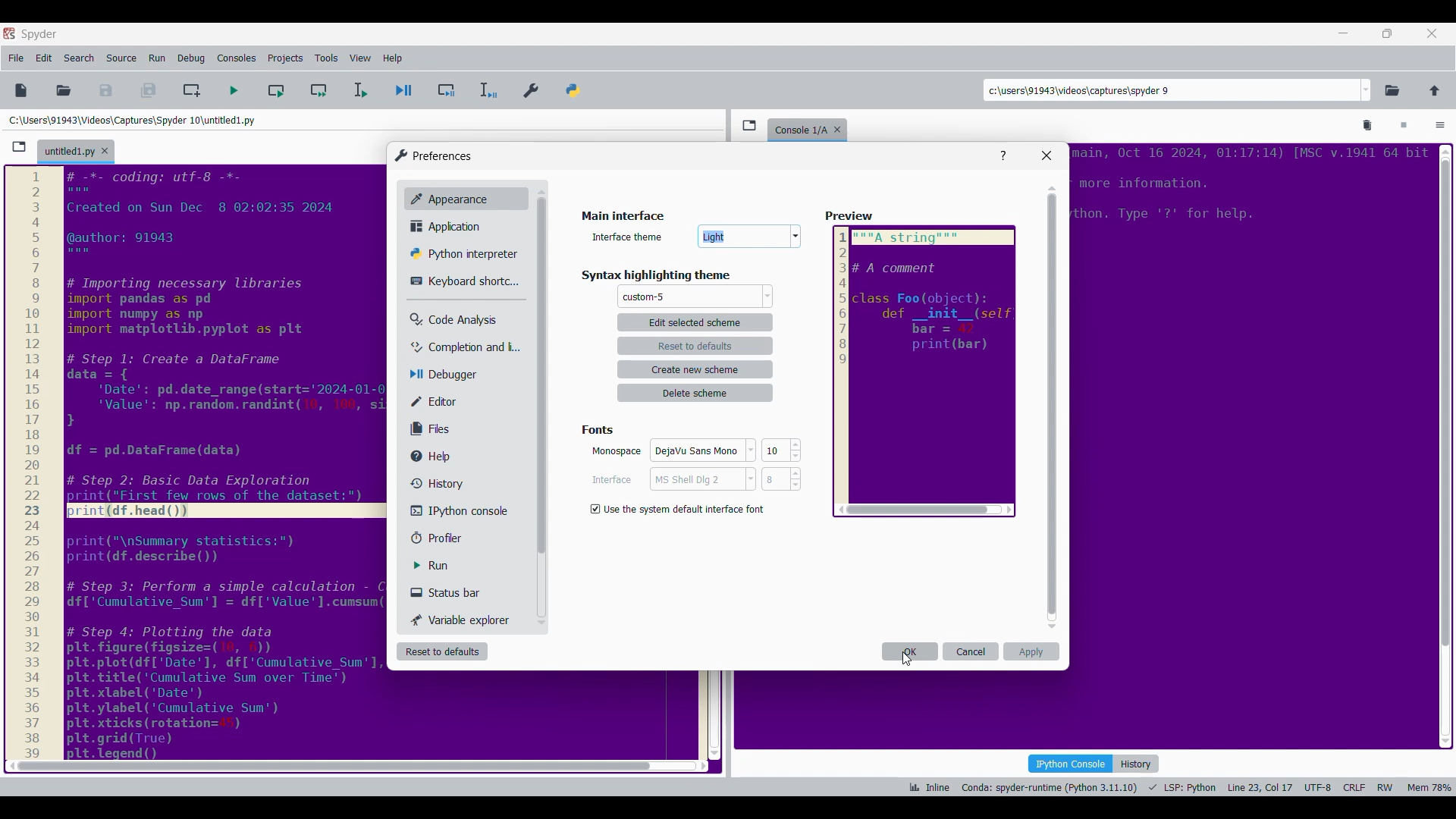 The height and width of the screenshot is (819, 1456). I want to click on File location, so click(132, 120).